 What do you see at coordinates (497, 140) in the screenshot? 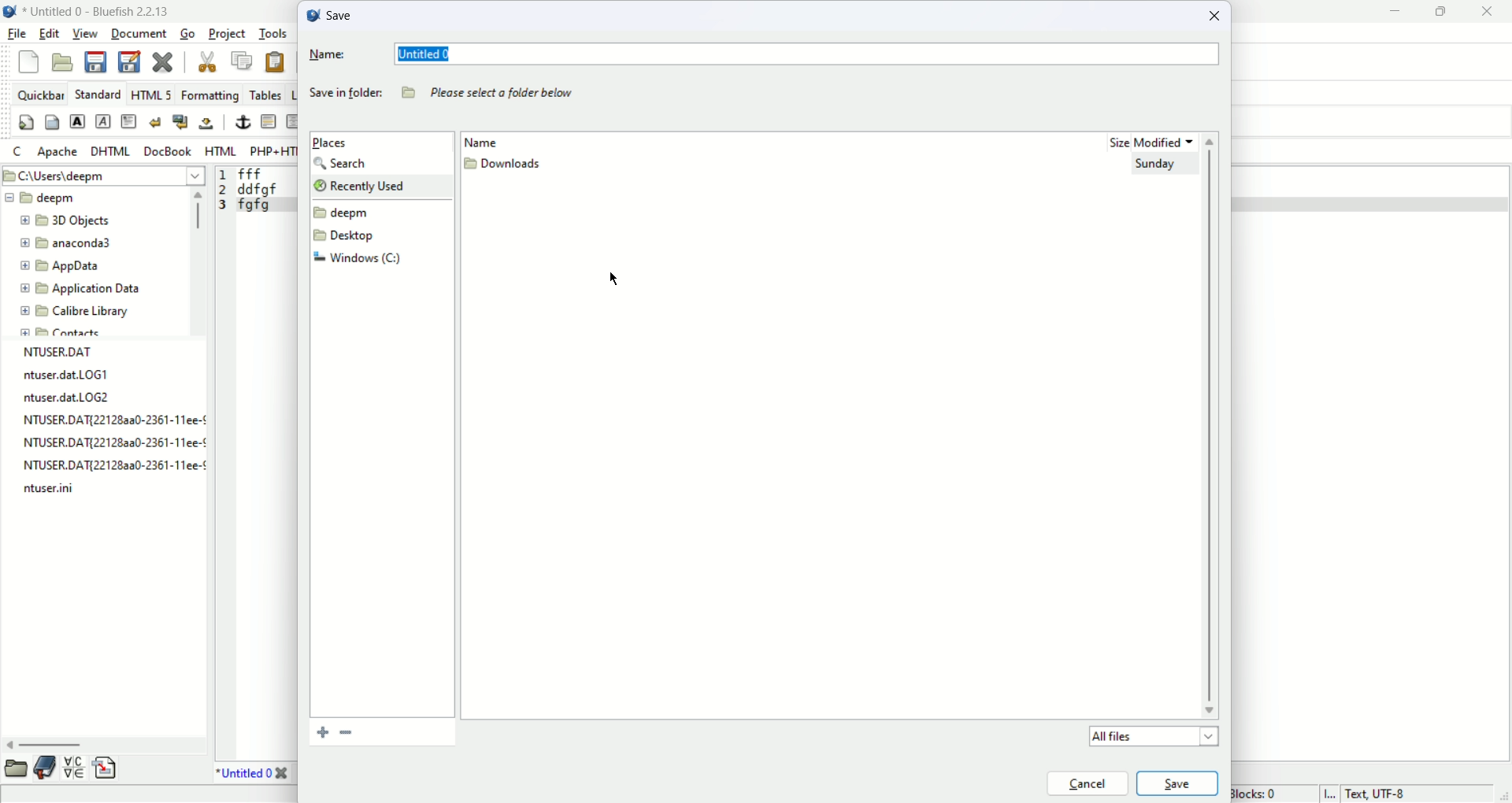
I see `name` at bounding box center [497, 140].